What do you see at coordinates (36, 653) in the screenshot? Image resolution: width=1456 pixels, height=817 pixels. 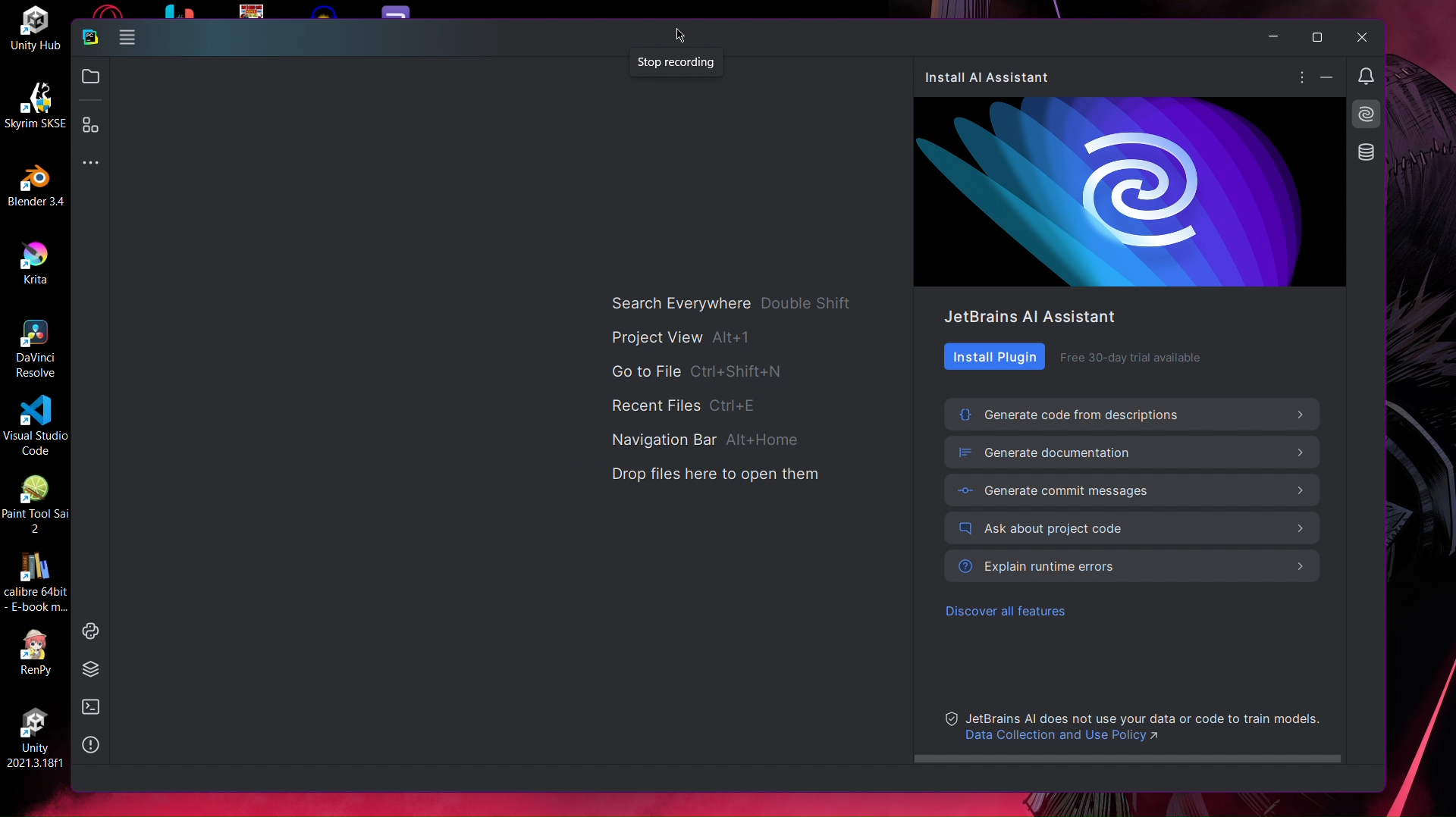 I see `RenPy` at bounding box center [36, 653].